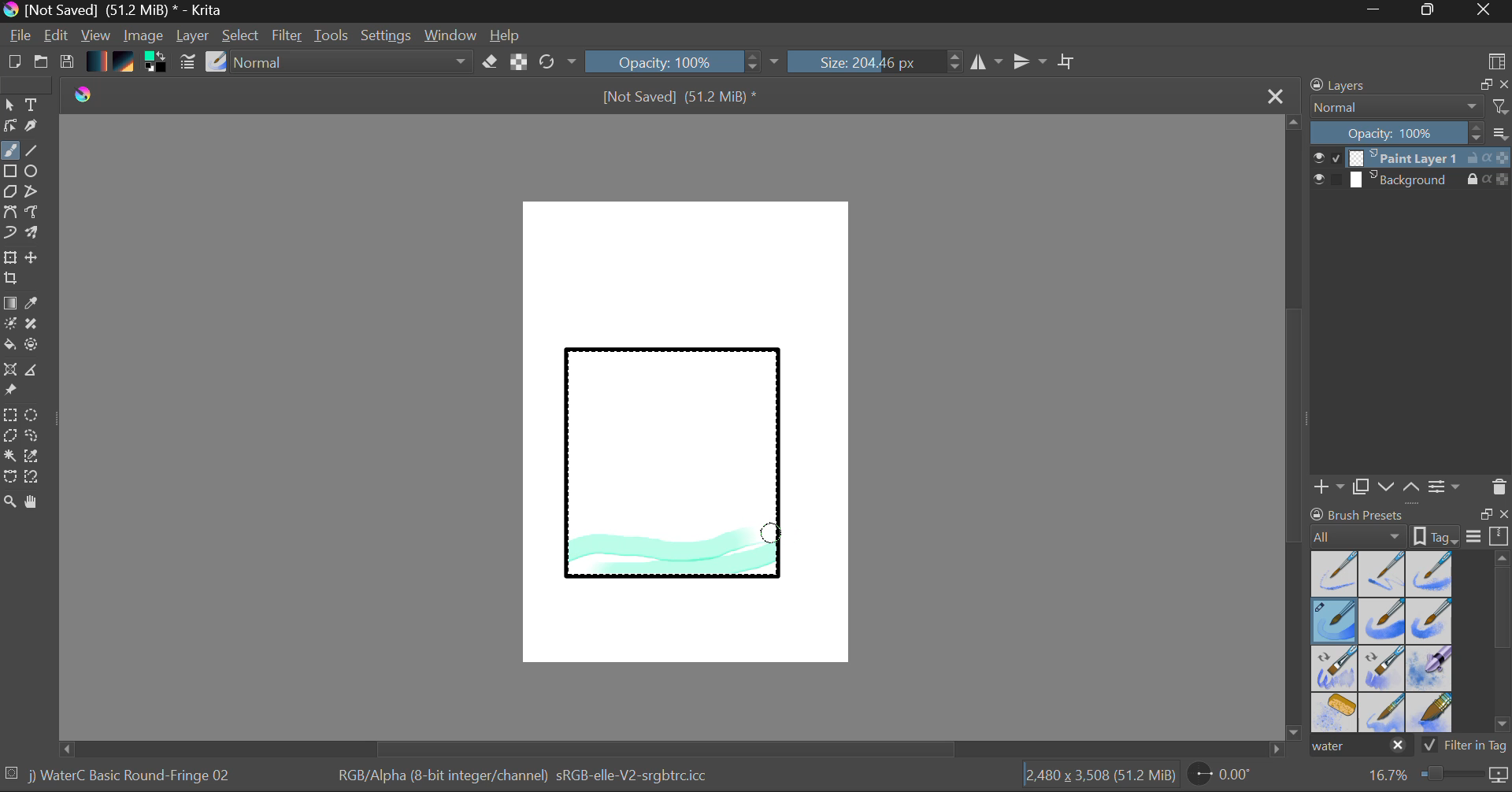 Image resolution: width=1512 pixels, height=792 pixels. I want to click on Window Title, so click(115, 11).